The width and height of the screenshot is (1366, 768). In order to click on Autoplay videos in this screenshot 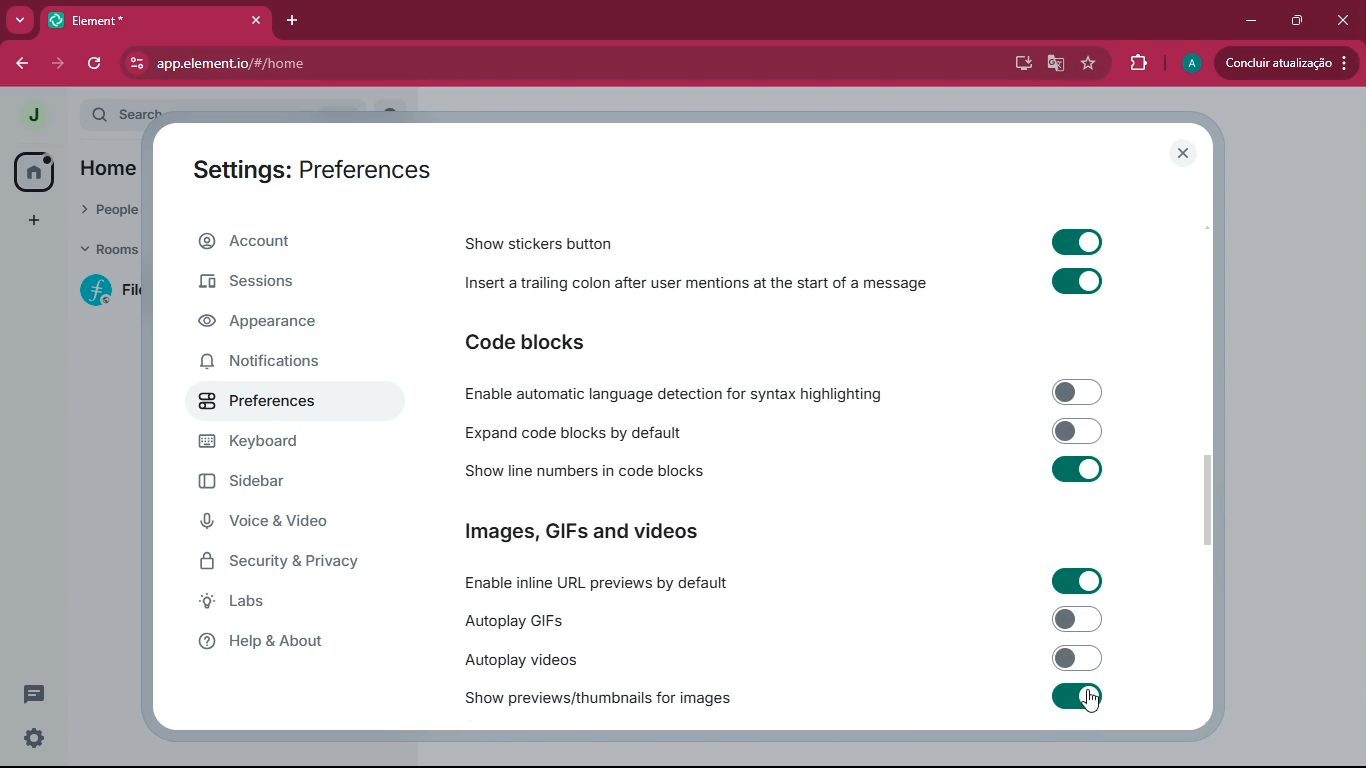, I will do `click(518, 660)`.